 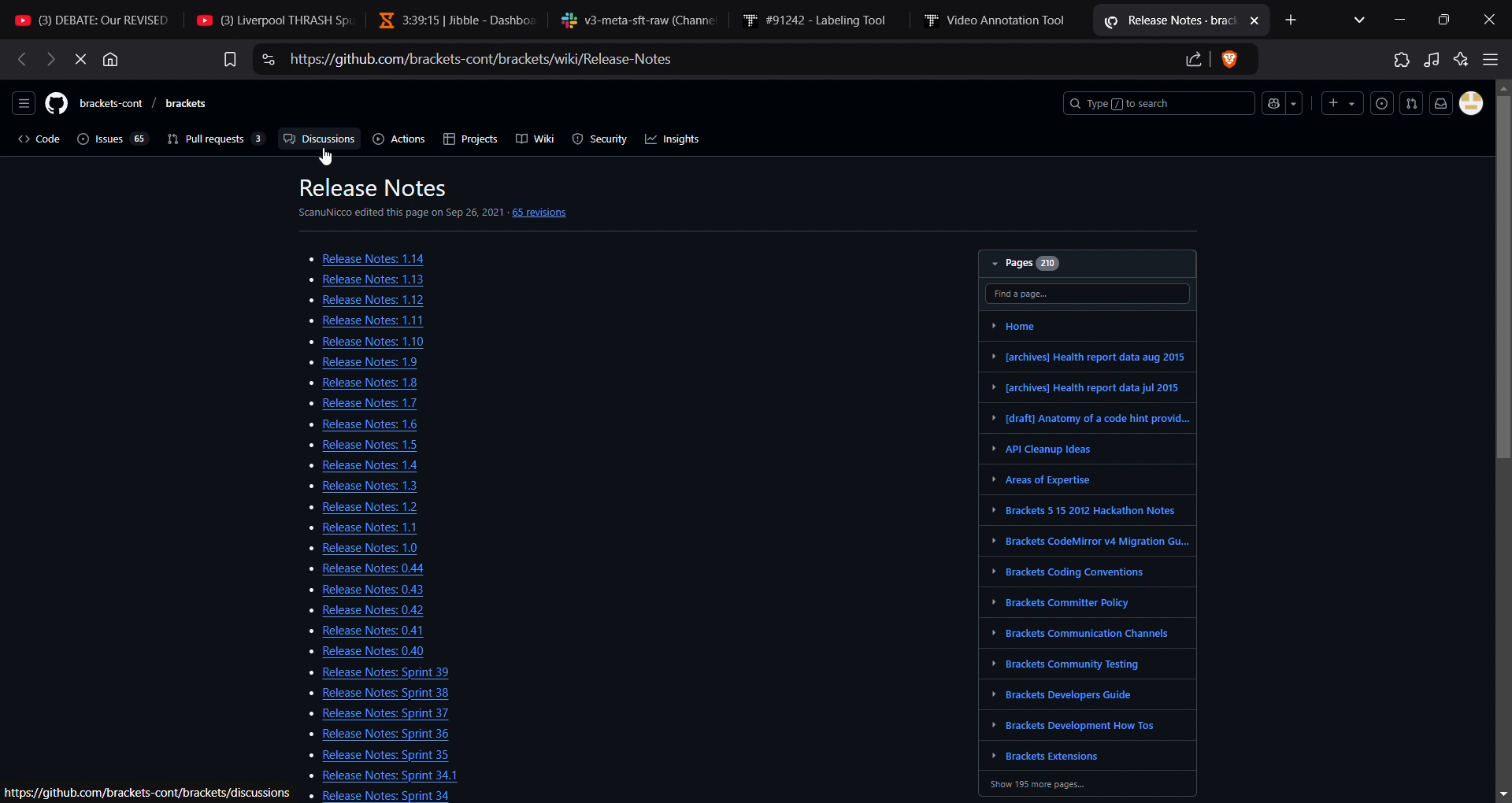 I want to click on o Release Notes: Sprint 36, so click(x=371, y=733).